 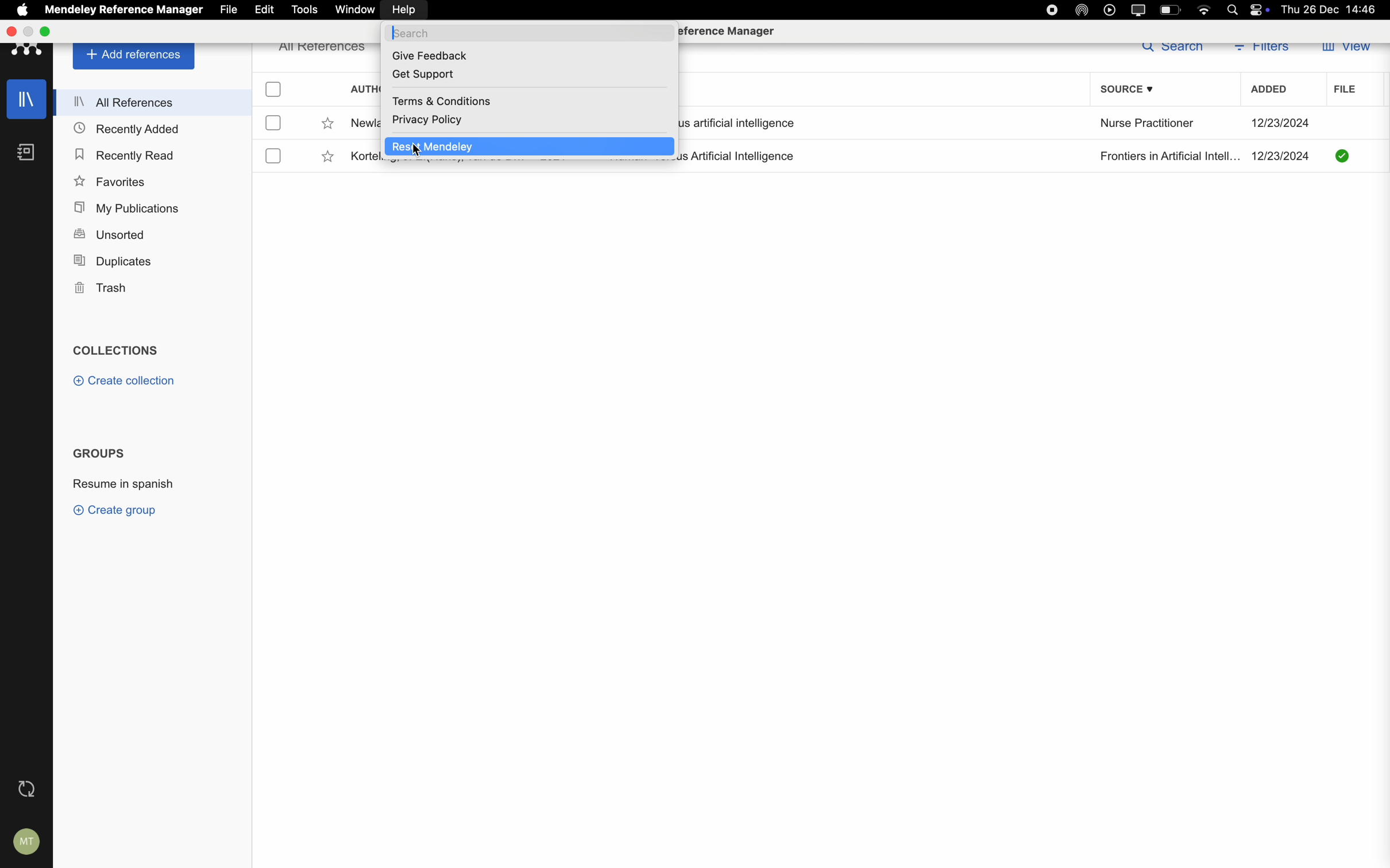 What do you see at coordinates (442, 99) in the screenshot?
I see `terms and conditions` at bounding box center [442, 99].